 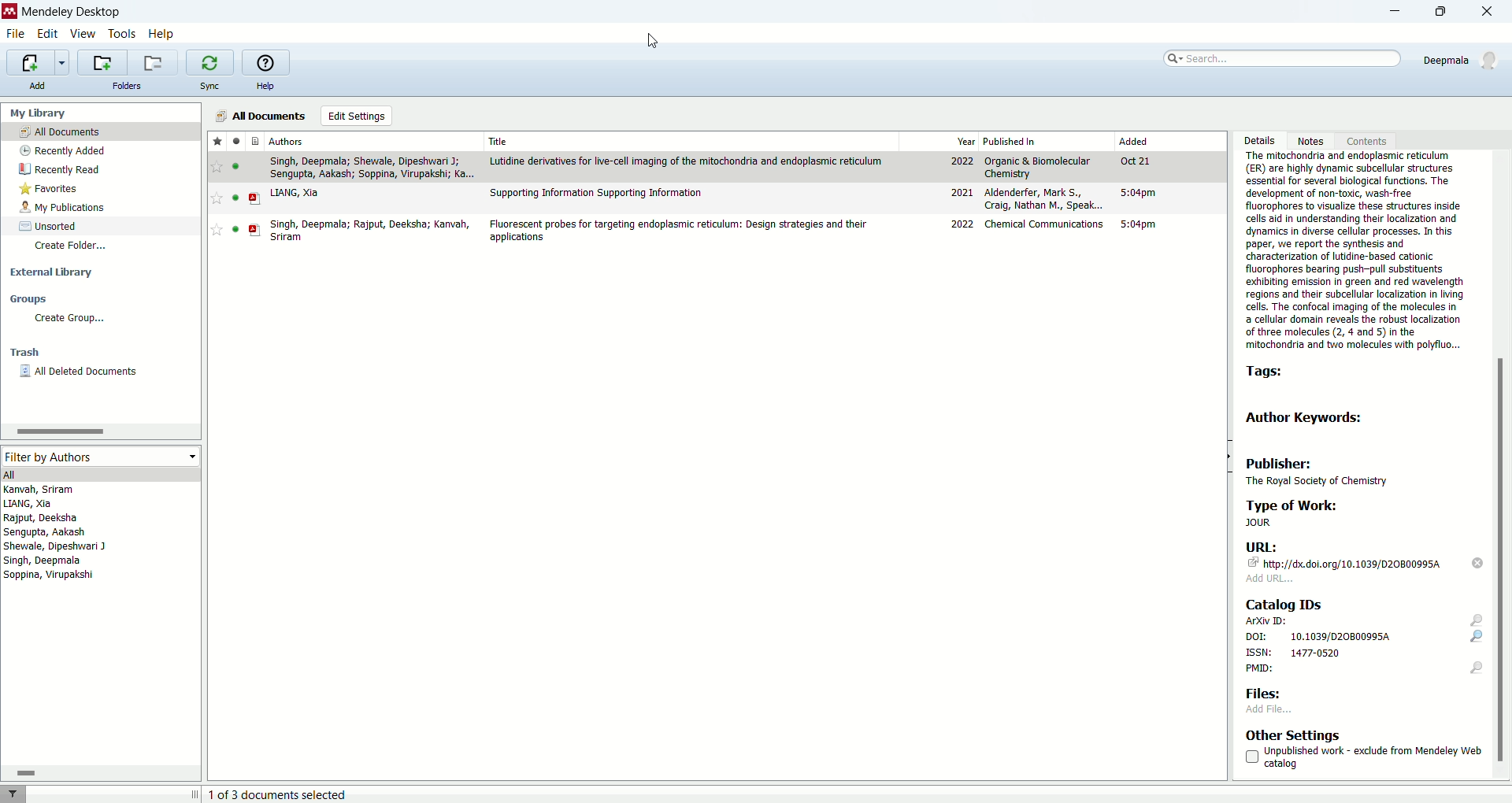 What do you see at coordinates (1280, 58) in the screenshot?
I see `search` at bounding box center [1280, 58].